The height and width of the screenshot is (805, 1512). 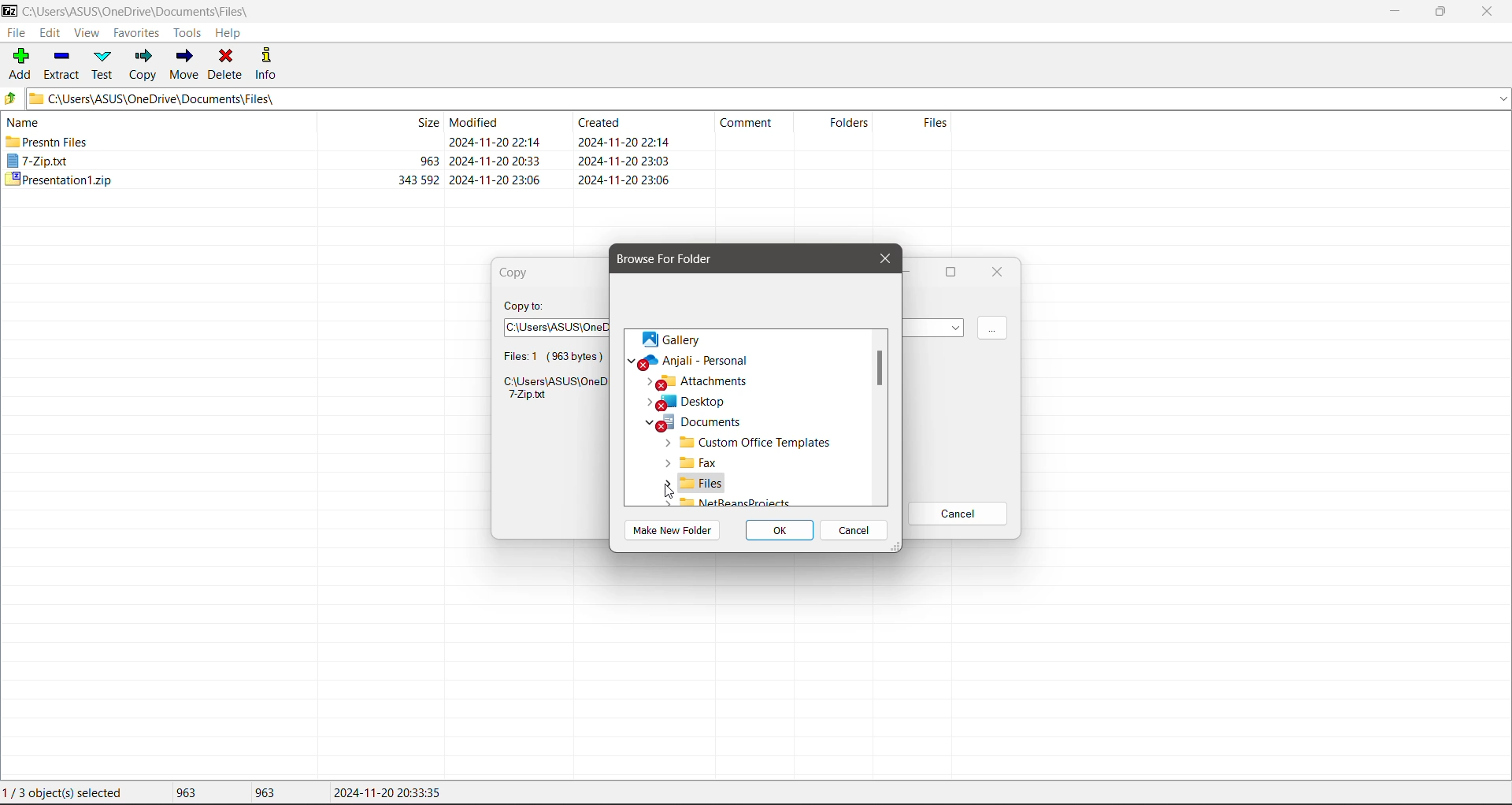 I want to click on File Created Date, so click(x=624, y=151).